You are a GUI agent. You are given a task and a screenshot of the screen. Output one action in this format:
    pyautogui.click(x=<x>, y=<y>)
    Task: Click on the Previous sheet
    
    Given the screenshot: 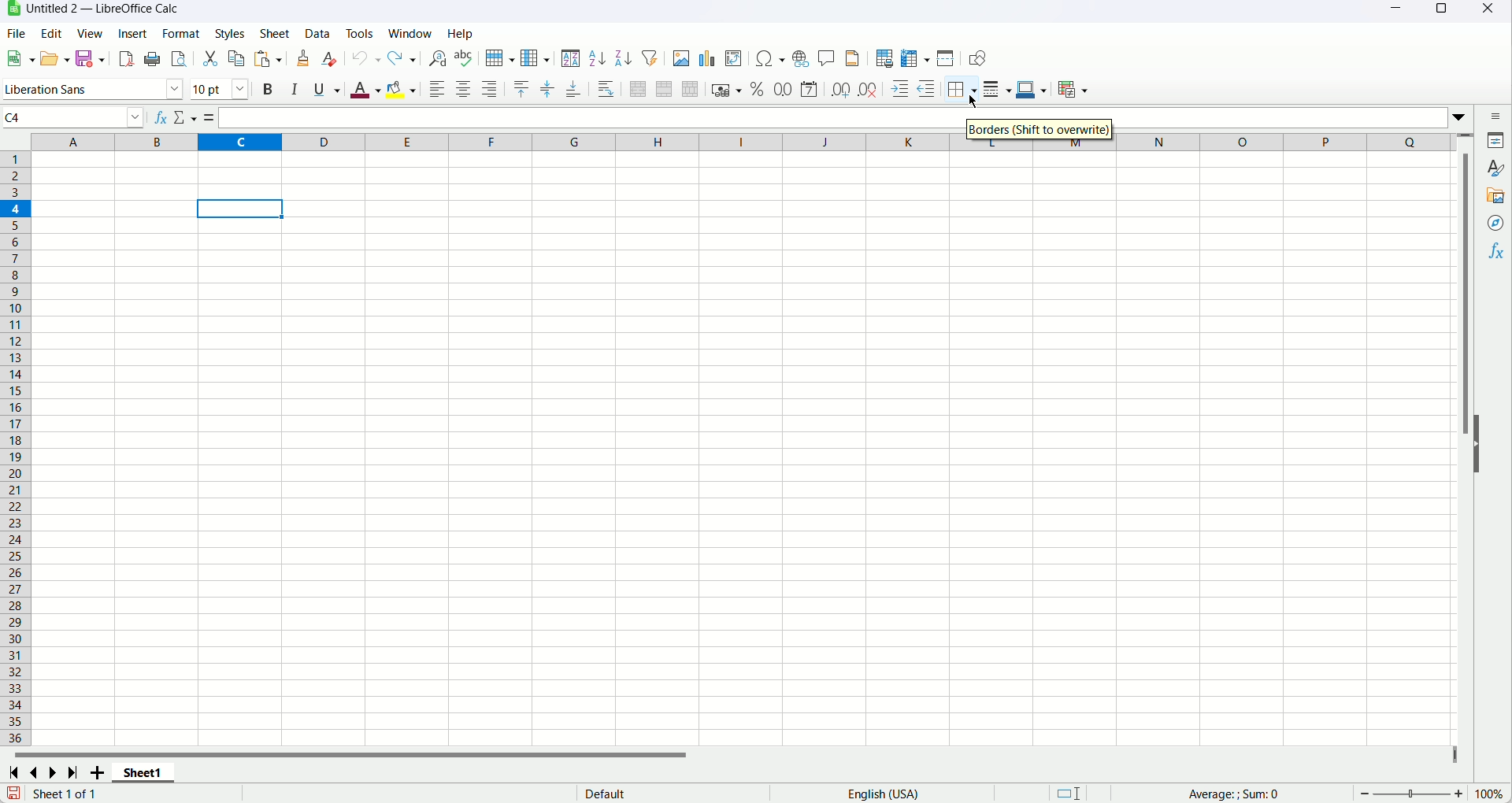 What is the action you would take?
    pyautogui.click(x=36, y=772)
    